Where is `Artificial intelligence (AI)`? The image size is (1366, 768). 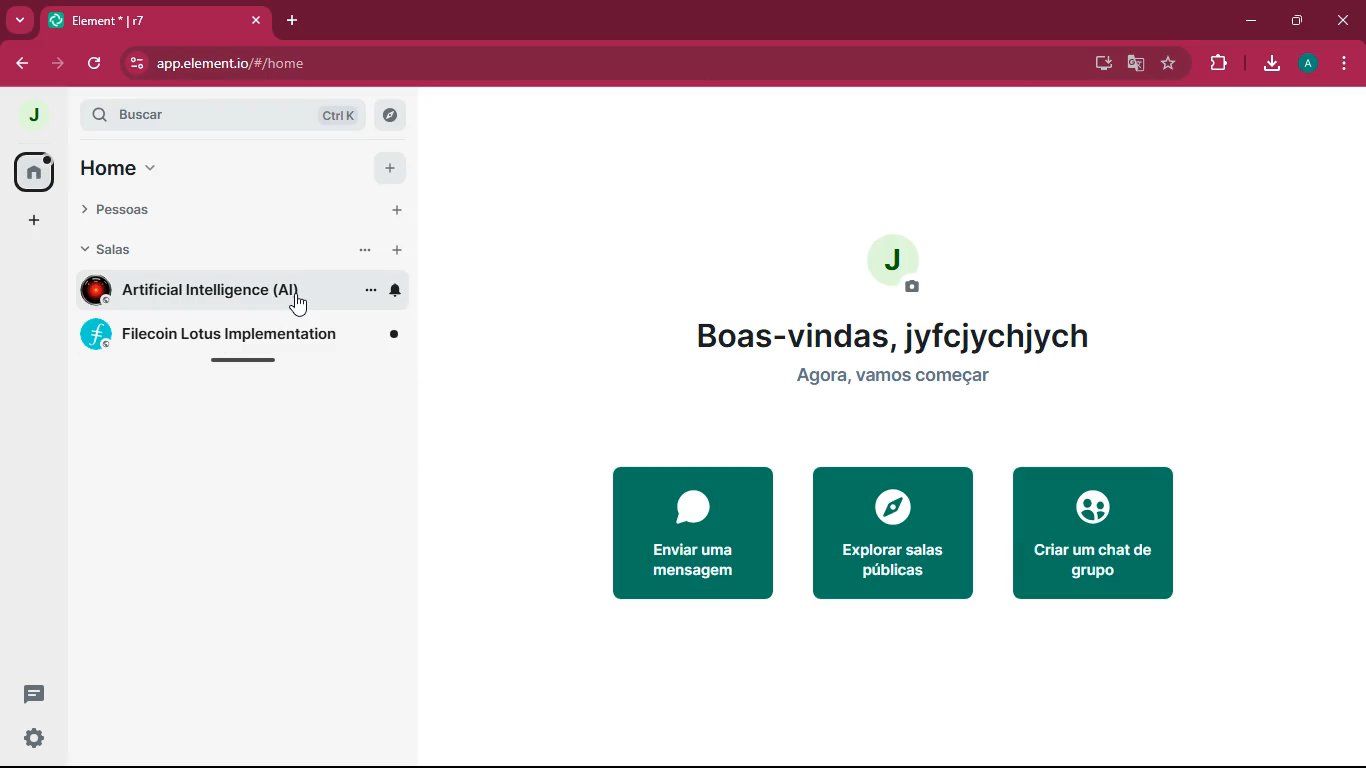
Artificial intelligence (AI) is located at coordinates (206, 291).